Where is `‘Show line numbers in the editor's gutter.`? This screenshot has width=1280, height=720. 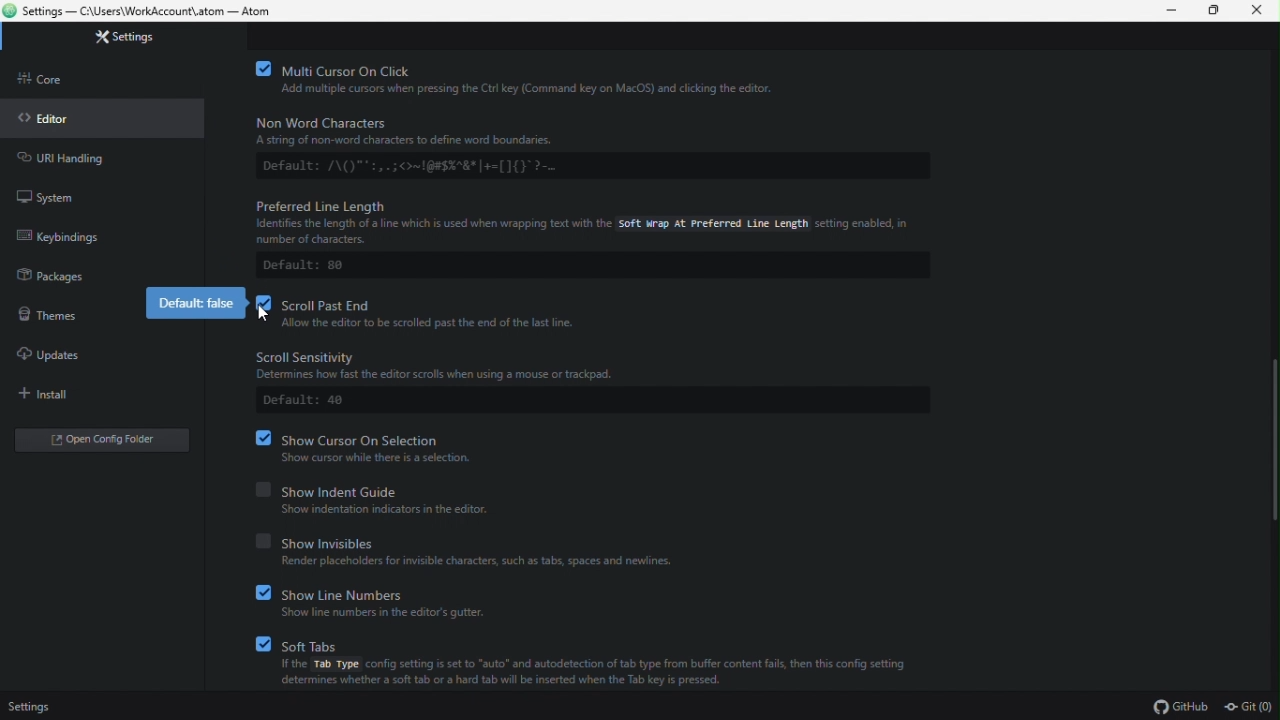
‘Show line numbers in the editor's gutter. is located at coordinates (387, 613).